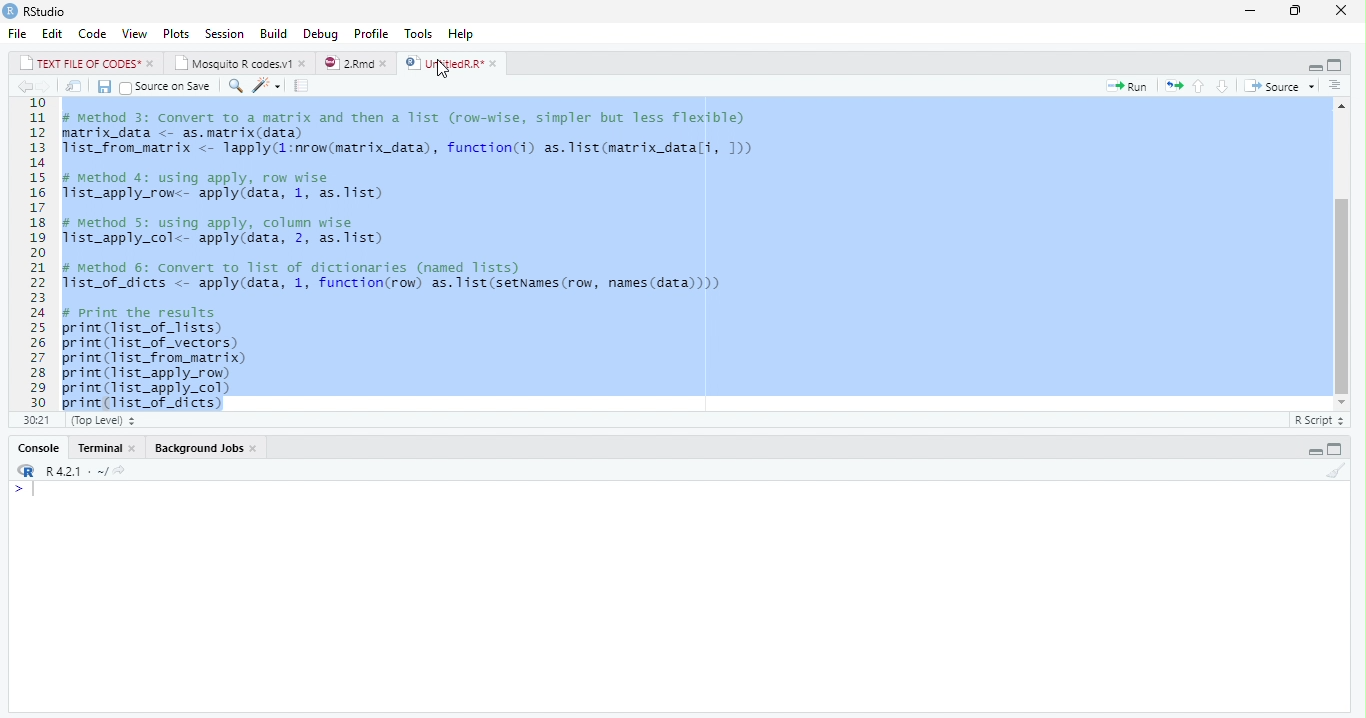 The image size is (1366, 718). Describe the element at coordinates (454, 63) in the screenshot. I see `UntitiedR.R*` at that location.